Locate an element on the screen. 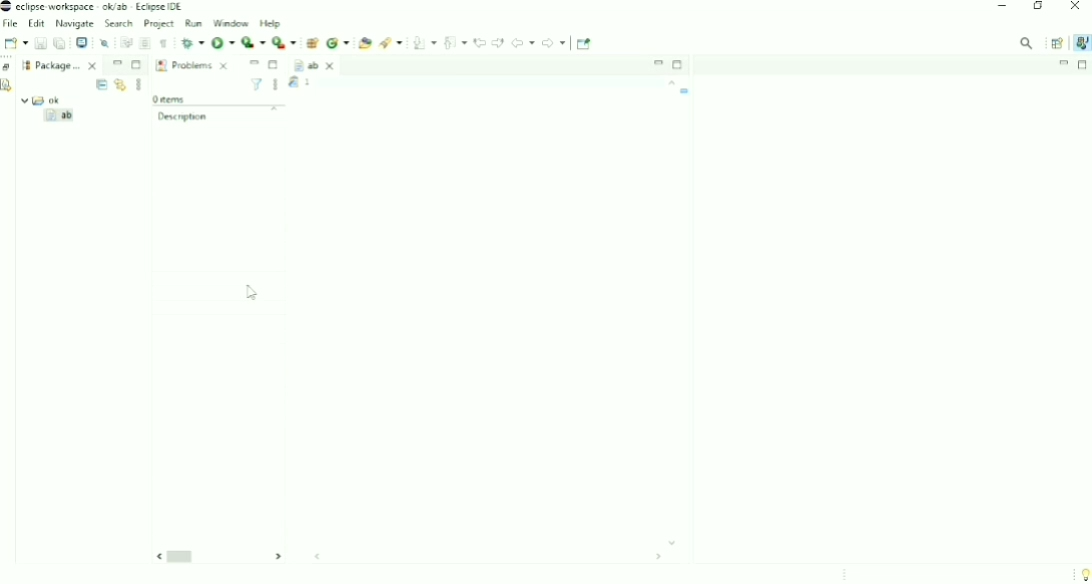 The width and height of the screenshot is (1092, 584). Maximize is located at coordinates (1083, 65).